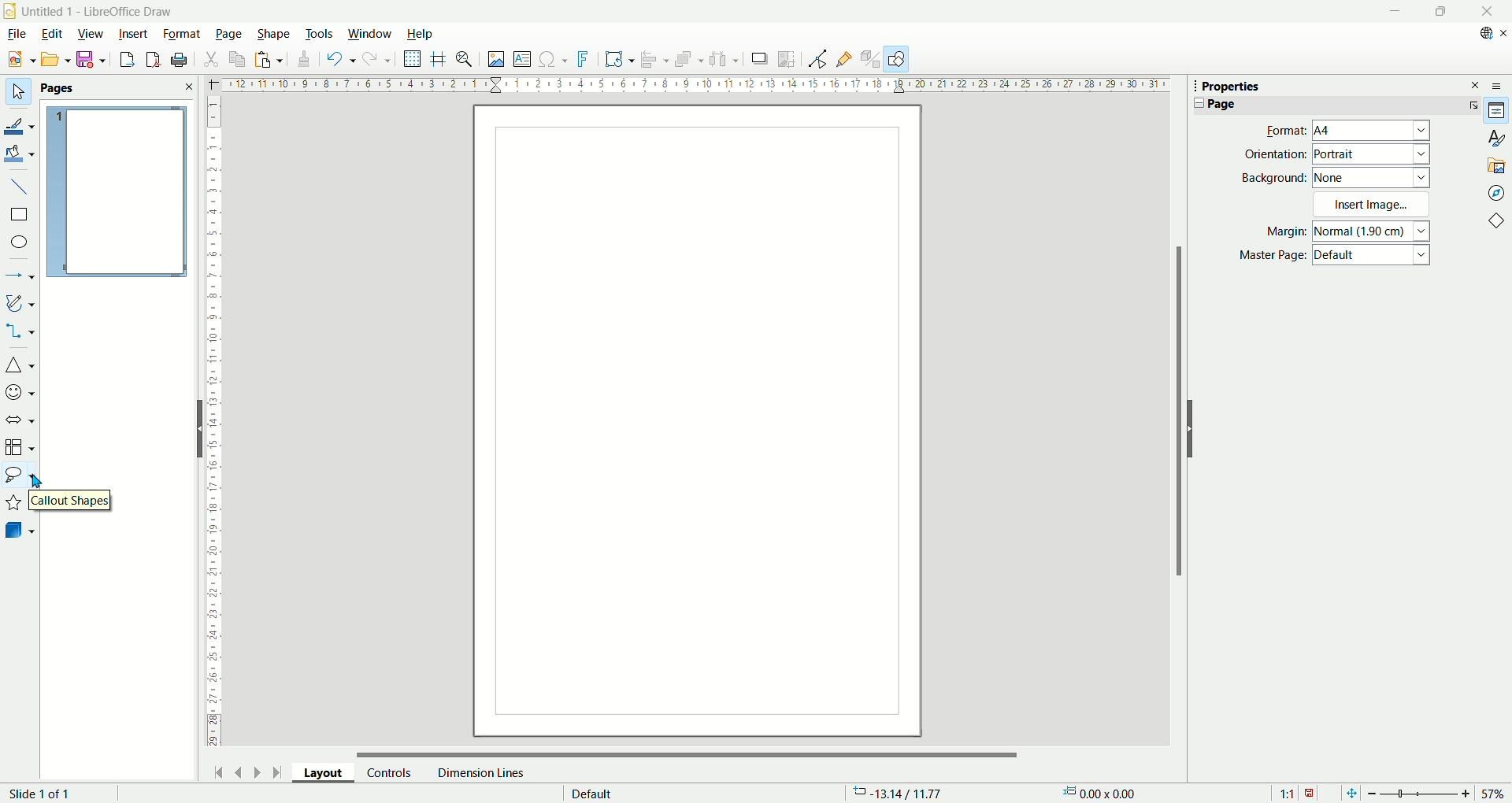  I want to click on scaling factor, so click(1296, 792).